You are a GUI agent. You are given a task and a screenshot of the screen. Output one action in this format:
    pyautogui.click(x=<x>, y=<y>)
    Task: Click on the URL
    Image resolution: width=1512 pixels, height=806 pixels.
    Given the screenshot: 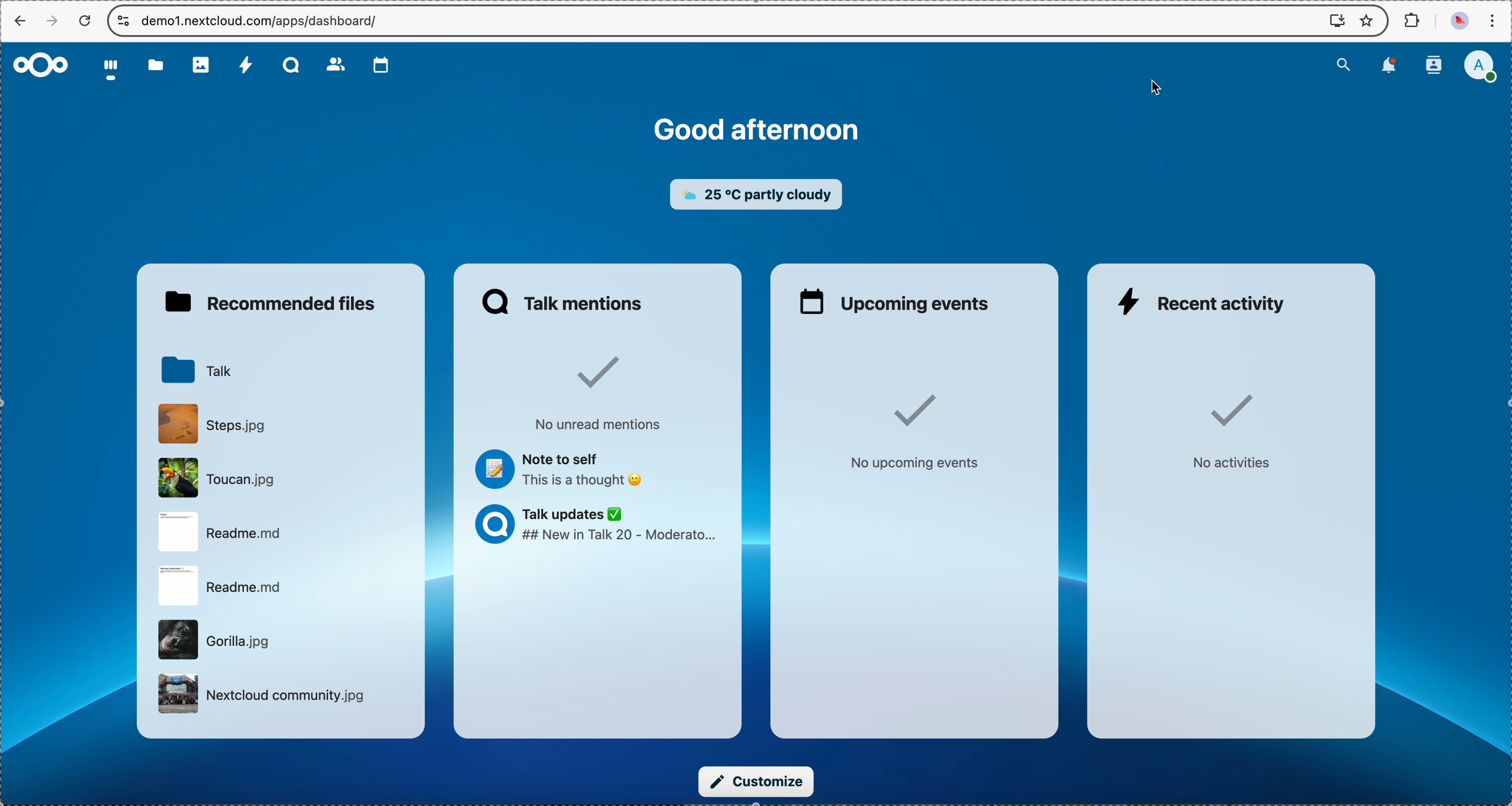 What is the action you would take?
    pyautogui.click(x=262, y=21)
    